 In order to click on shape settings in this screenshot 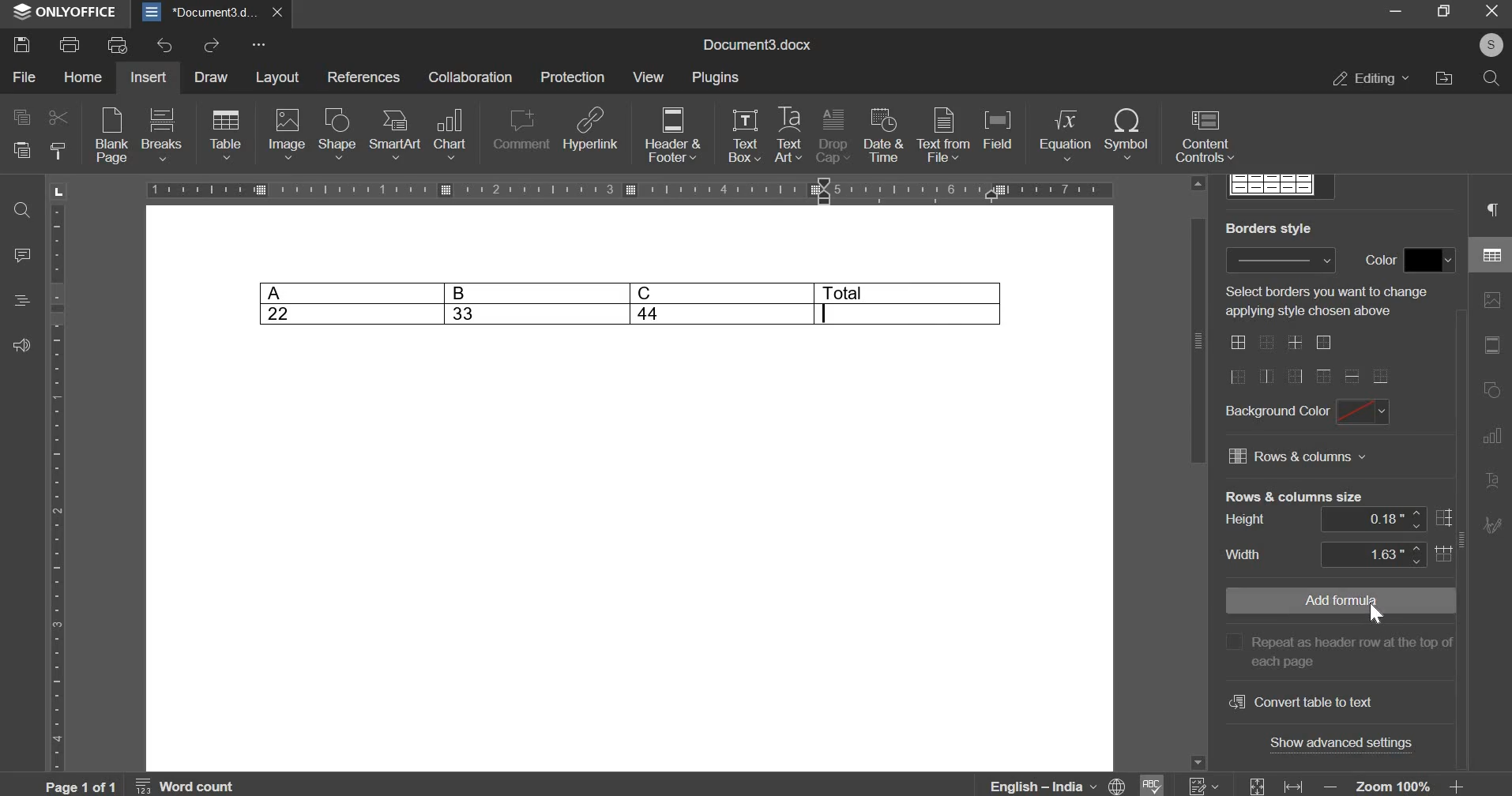, I will do `click(1492, 390)`.